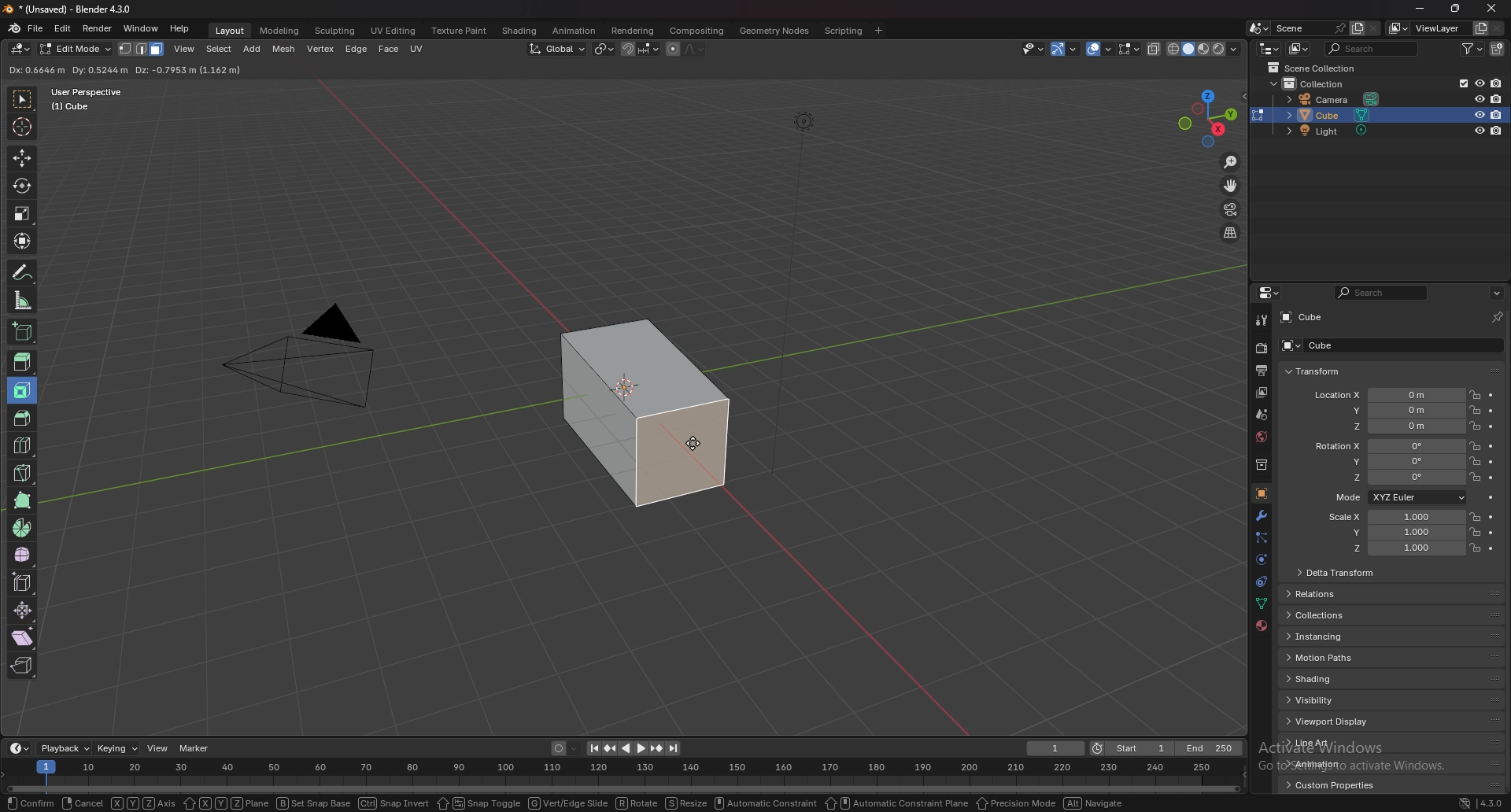 The height and width of the screenshot is (812, 1511). Describe the element at coordinates (1262, 393) in the screenshot. I see `view layer` at that location.